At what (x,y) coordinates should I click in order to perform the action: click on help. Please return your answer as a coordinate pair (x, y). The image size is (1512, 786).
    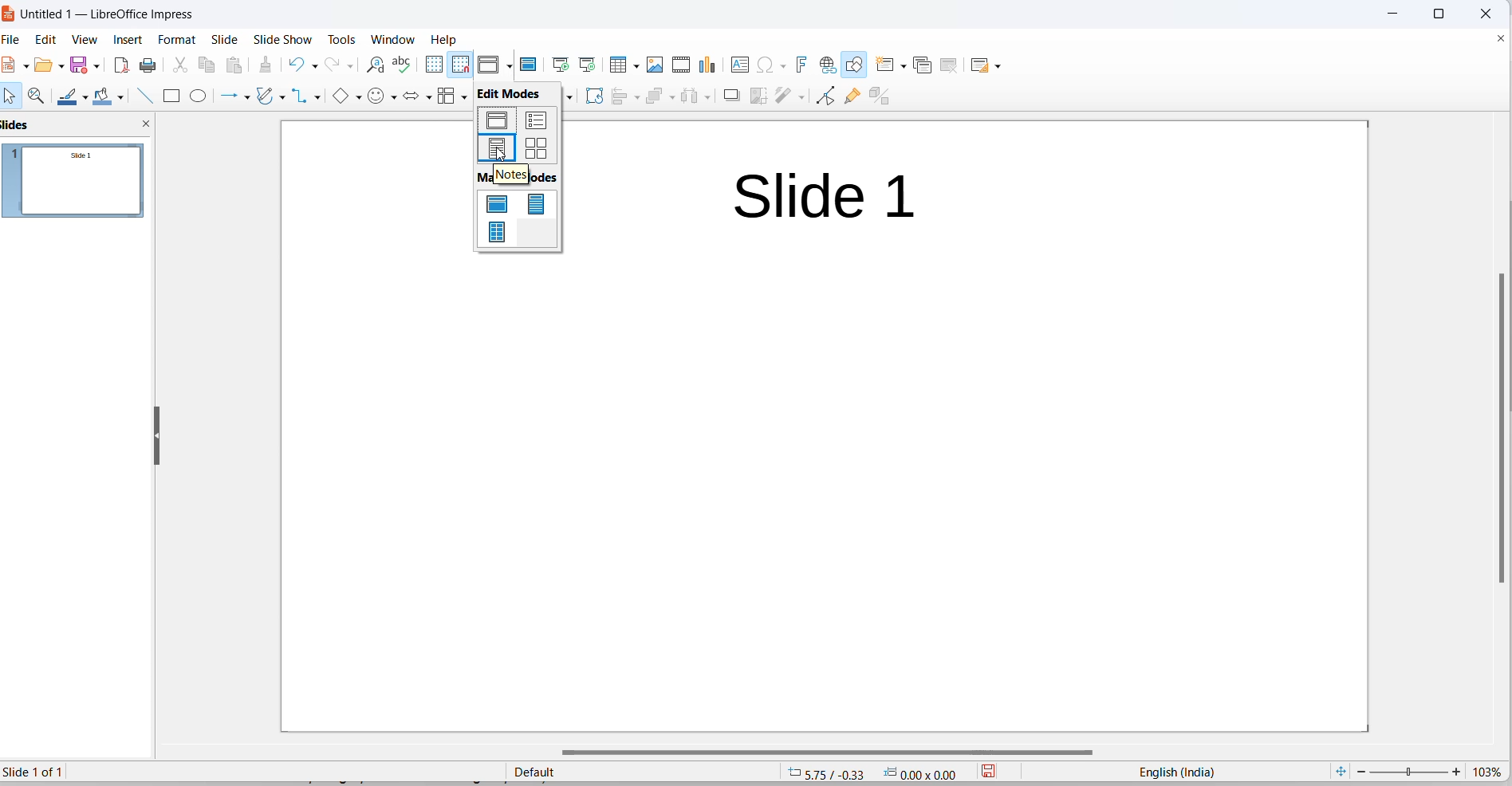
    Looking at the image, I should click on (445, 39).